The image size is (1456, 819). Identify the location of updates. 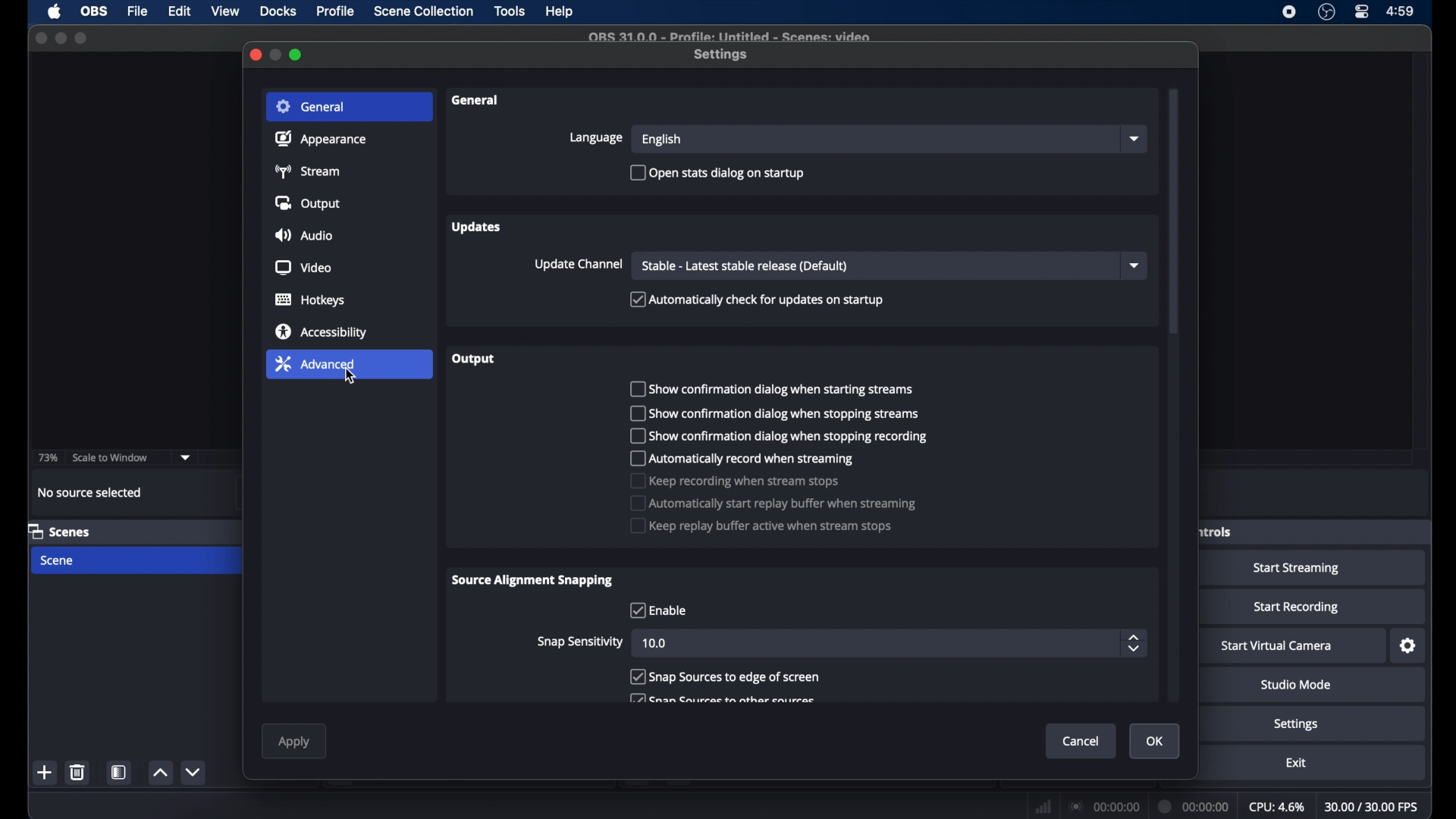
(473, 227).